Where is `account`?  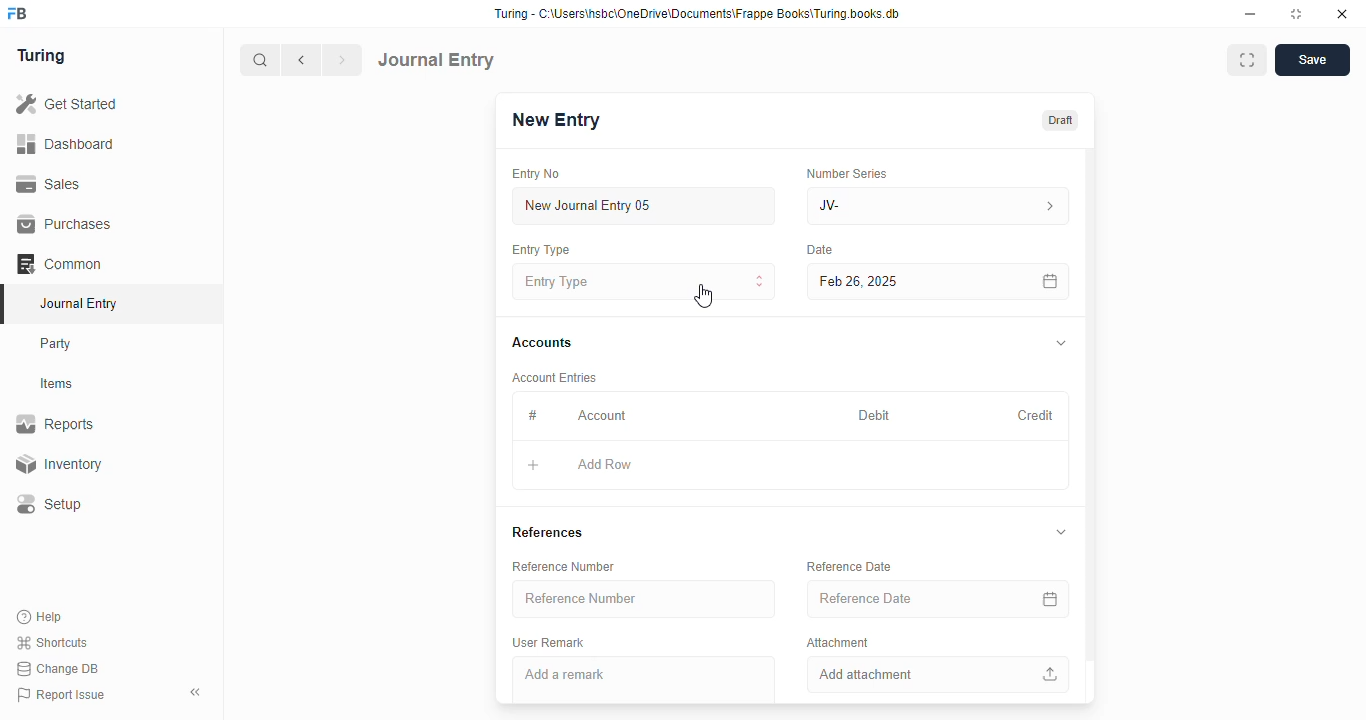
account is located at coordinates (602, 415).